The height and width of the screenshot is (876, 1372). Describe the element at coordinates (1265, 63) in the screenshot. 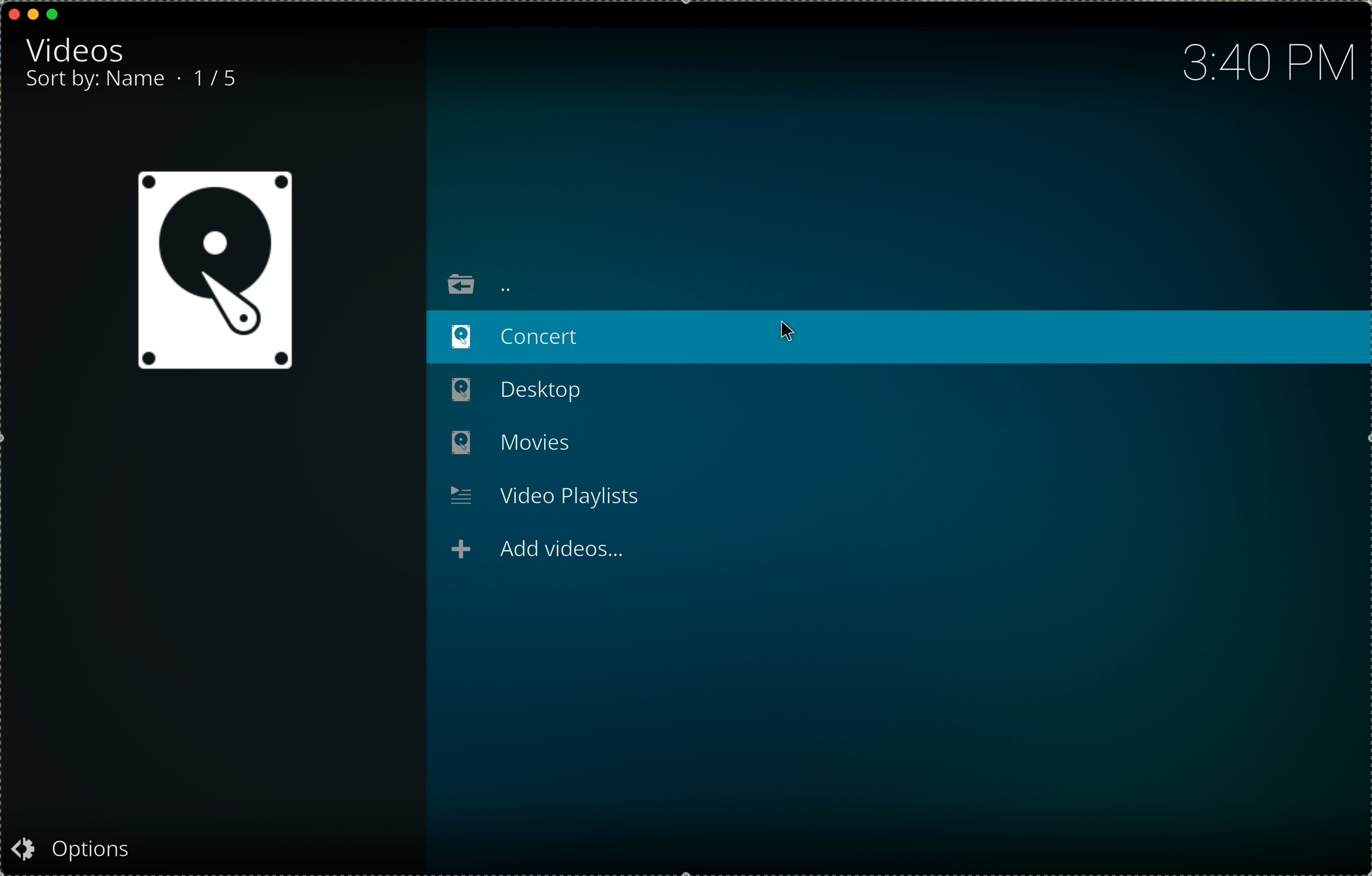

I see `time` at that location.